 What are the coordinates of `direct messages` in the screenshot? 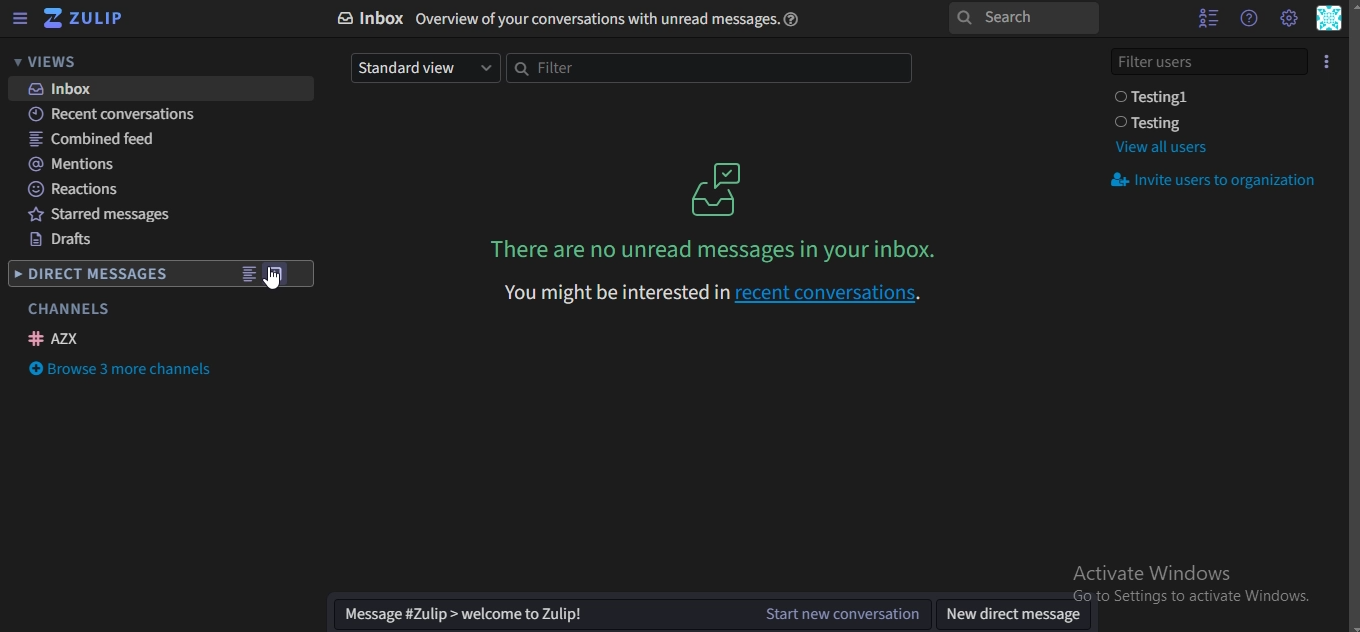 It's located at (94, 276).